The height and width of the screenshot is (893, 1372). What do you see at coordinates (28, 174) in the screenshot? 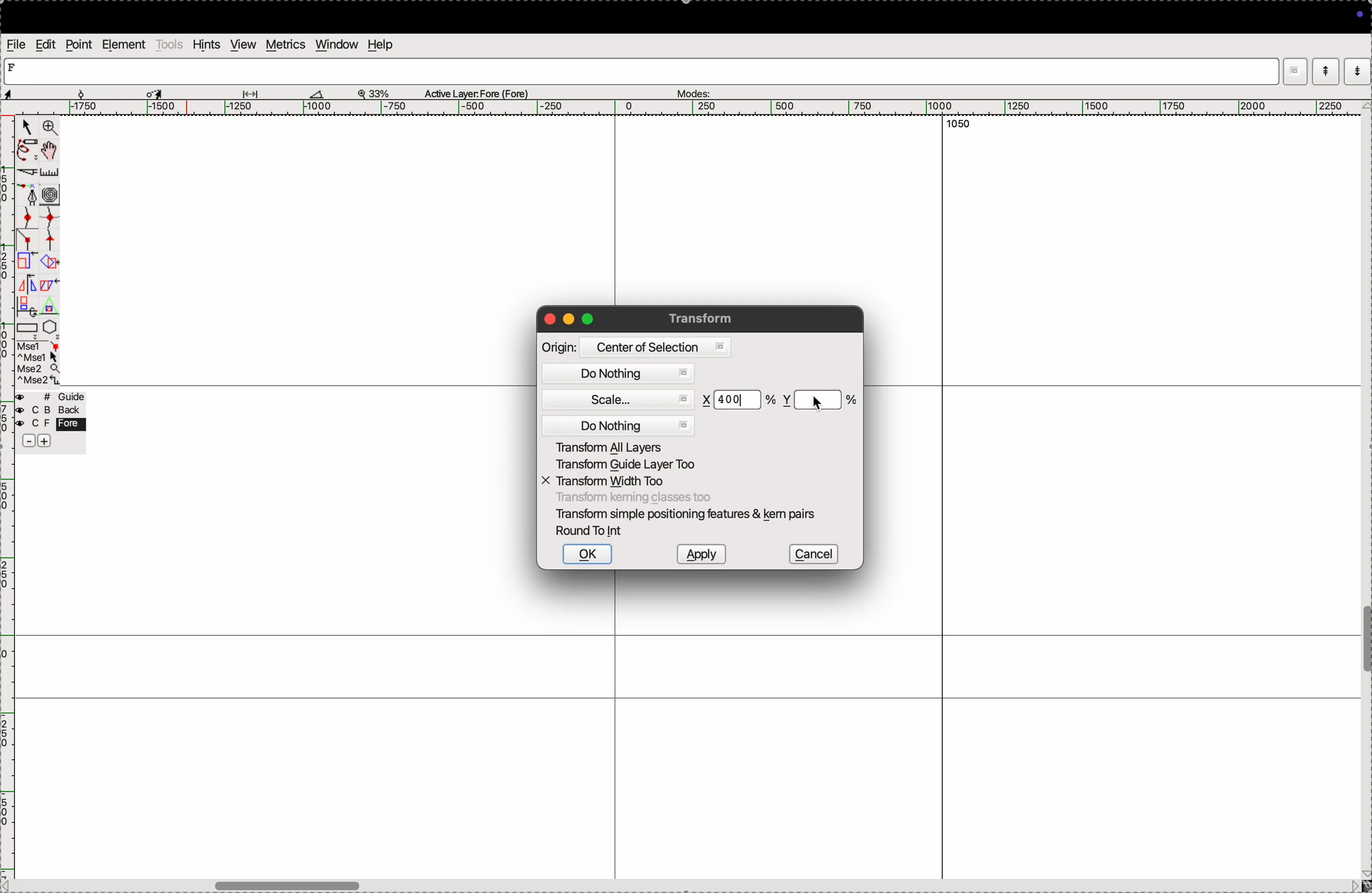
I see `cut` at bounding box center [28, 174].